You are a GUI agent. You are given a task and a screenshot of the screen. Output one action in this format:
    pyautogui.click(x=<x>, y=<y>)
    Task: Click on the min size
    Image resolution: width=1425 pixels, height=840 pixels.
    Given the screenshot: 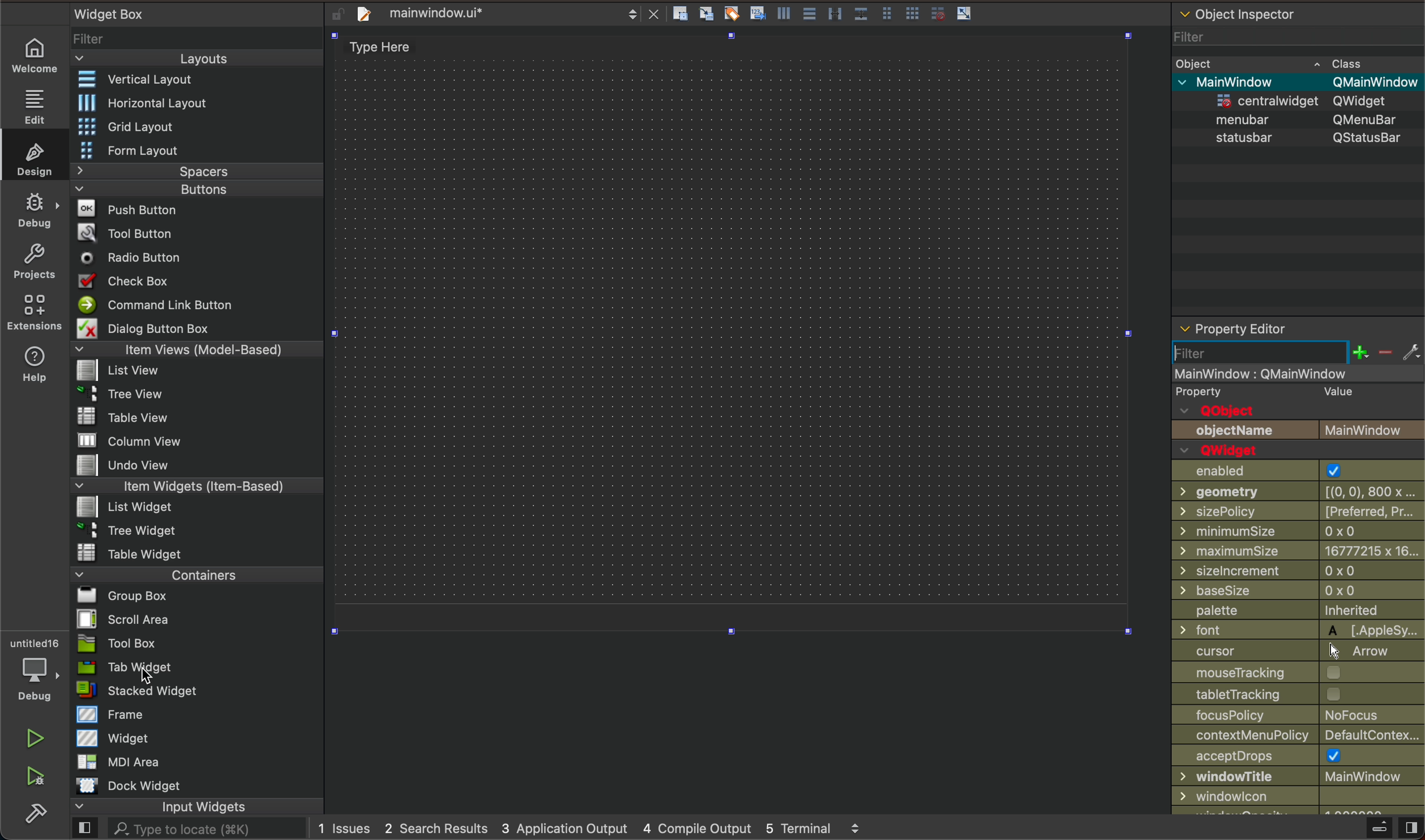 What is the action you would take?
    pyautogui.click(x=1299, y=532)
    